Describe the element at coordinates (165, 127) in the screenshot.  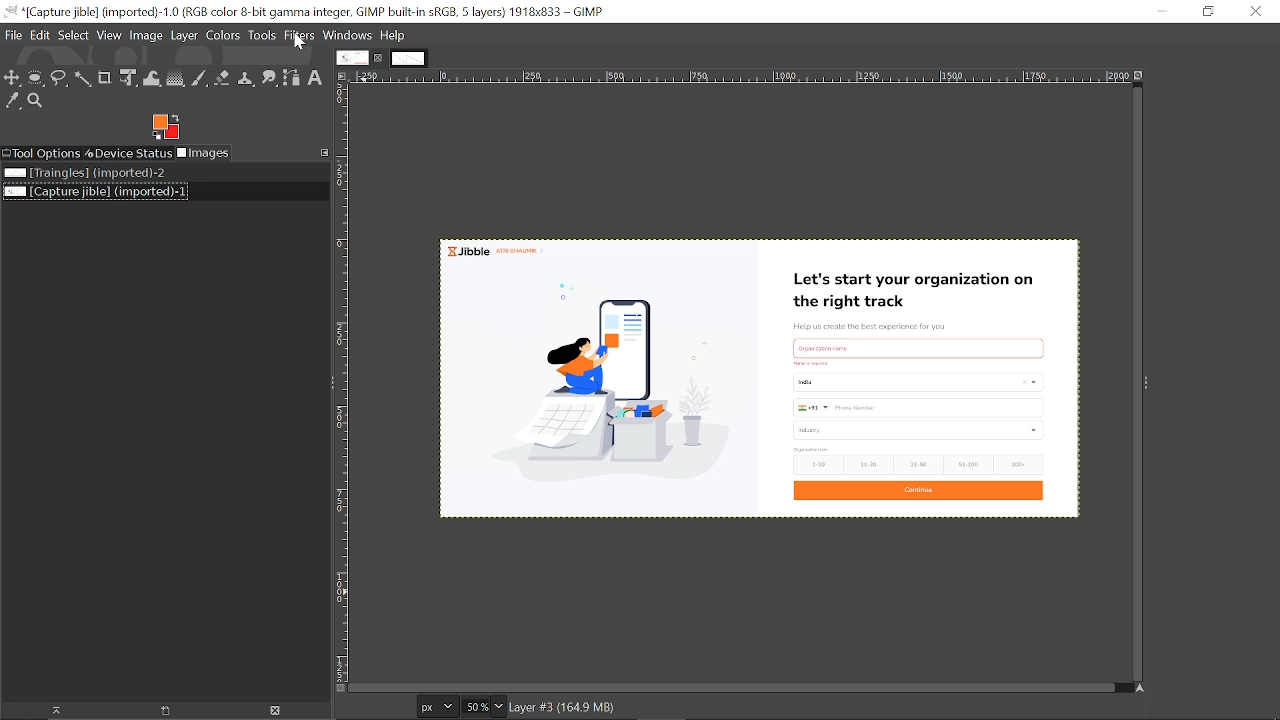
I see `Foreground color` at that location.